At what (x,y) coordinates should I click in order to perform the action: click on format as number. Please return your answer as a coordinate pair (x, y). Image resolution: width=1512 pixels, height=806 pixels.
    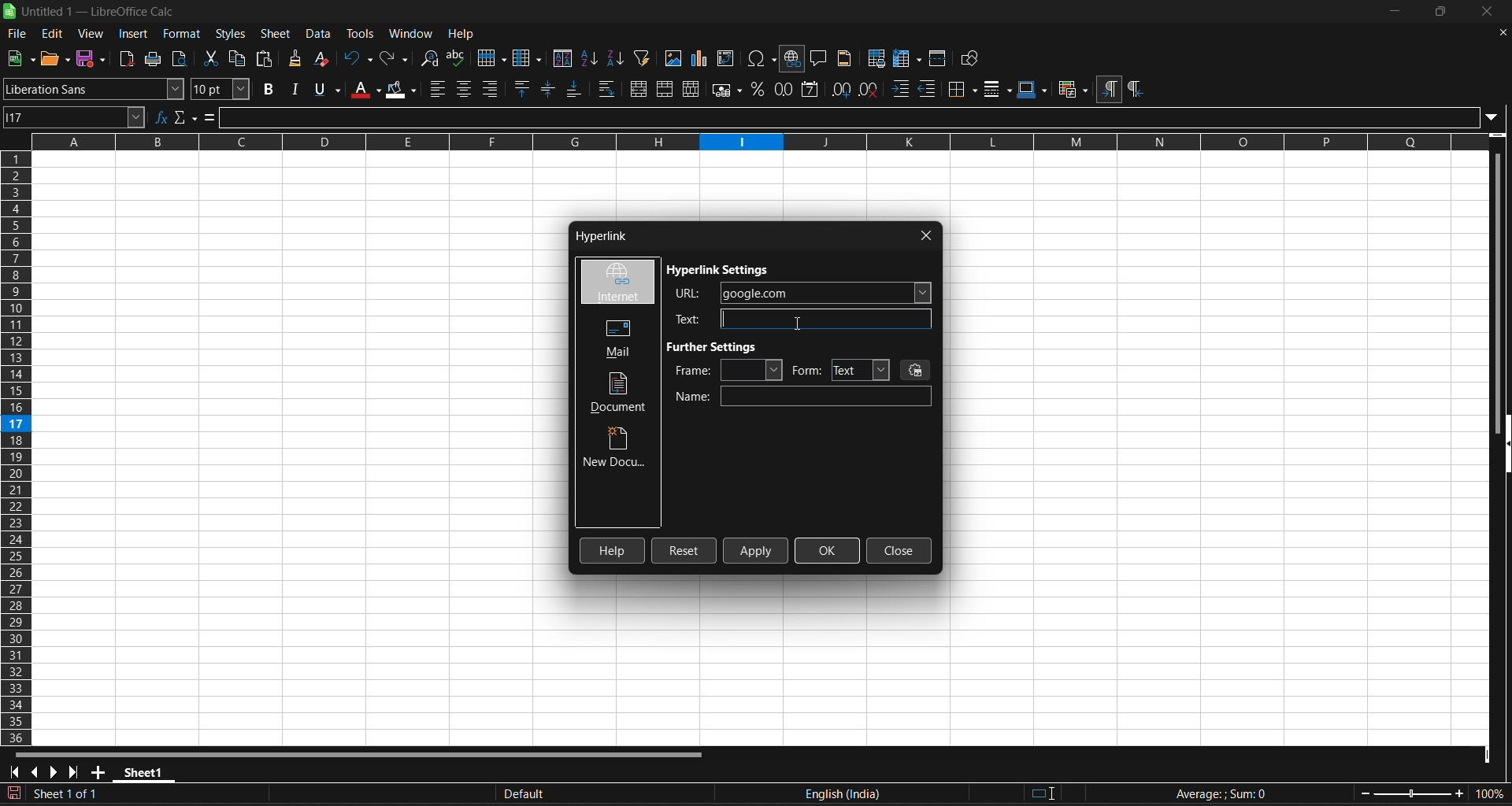
    Looking at the image, I should click on (783, 90).